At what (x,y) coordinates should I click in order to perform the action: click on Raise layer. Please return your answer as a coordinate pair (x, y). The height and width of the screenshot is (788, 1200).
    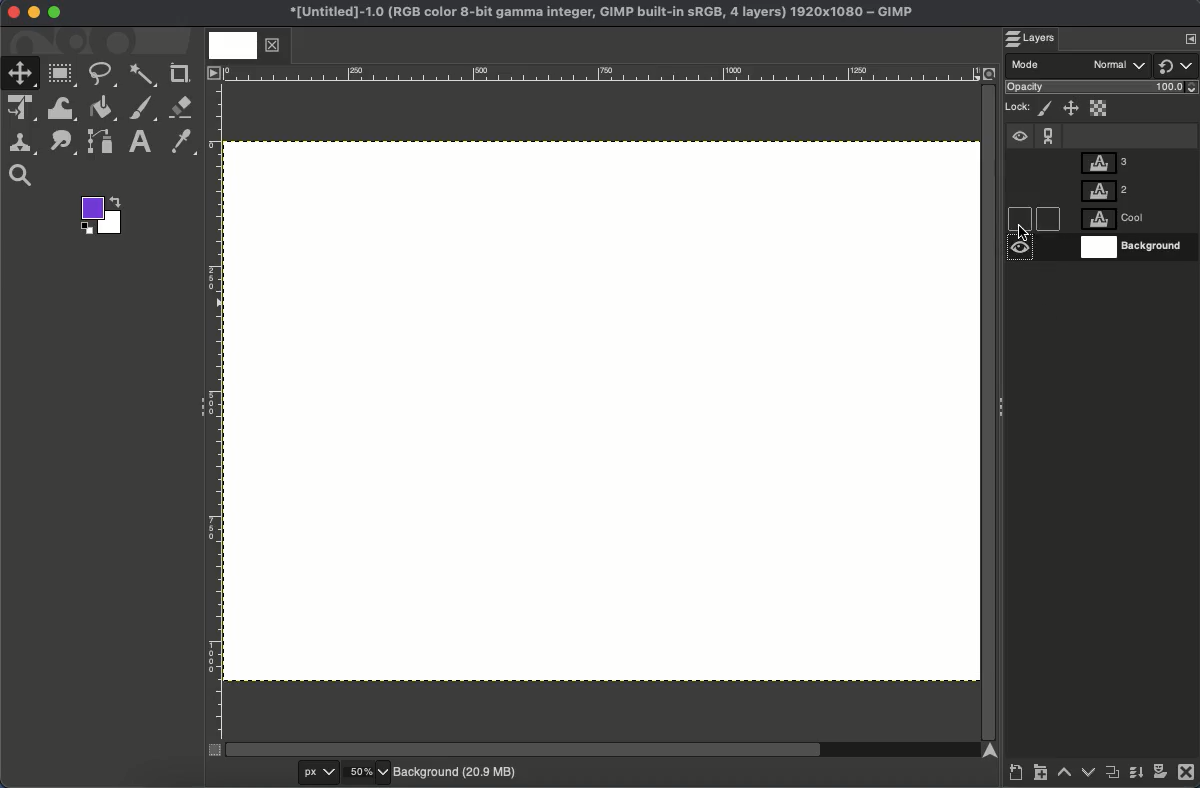
    Looking at the image, I should click on (1065, 777).